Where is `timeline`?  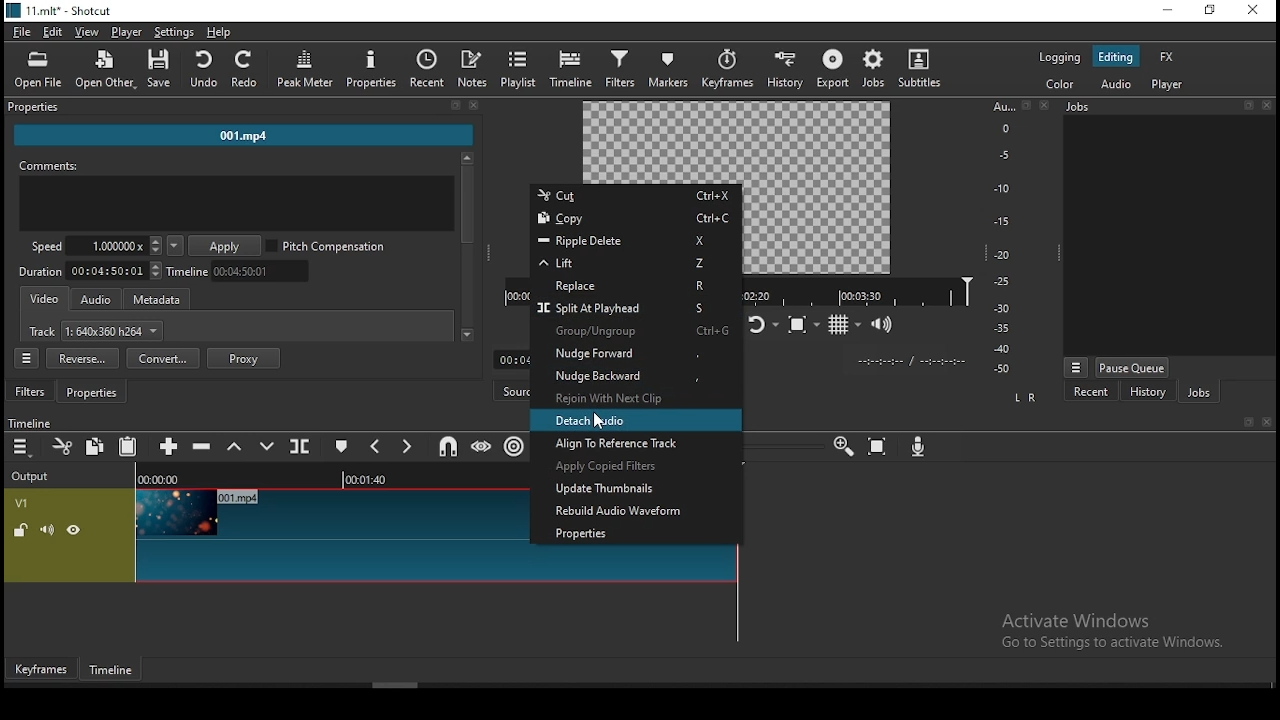 timeline is located at coordinates (859, 290).